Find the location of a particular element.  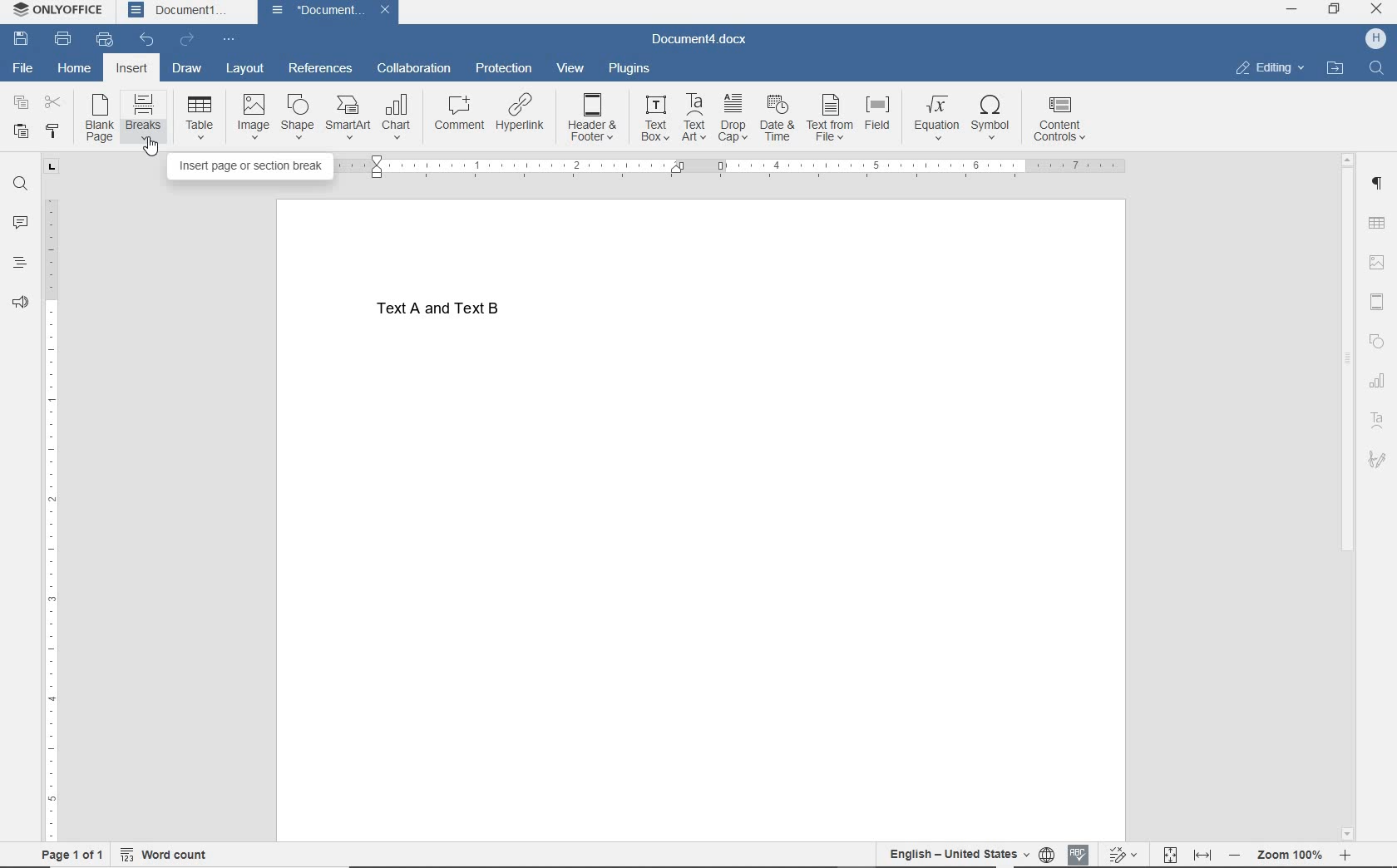

cursor is located at coordinates (151, 151).